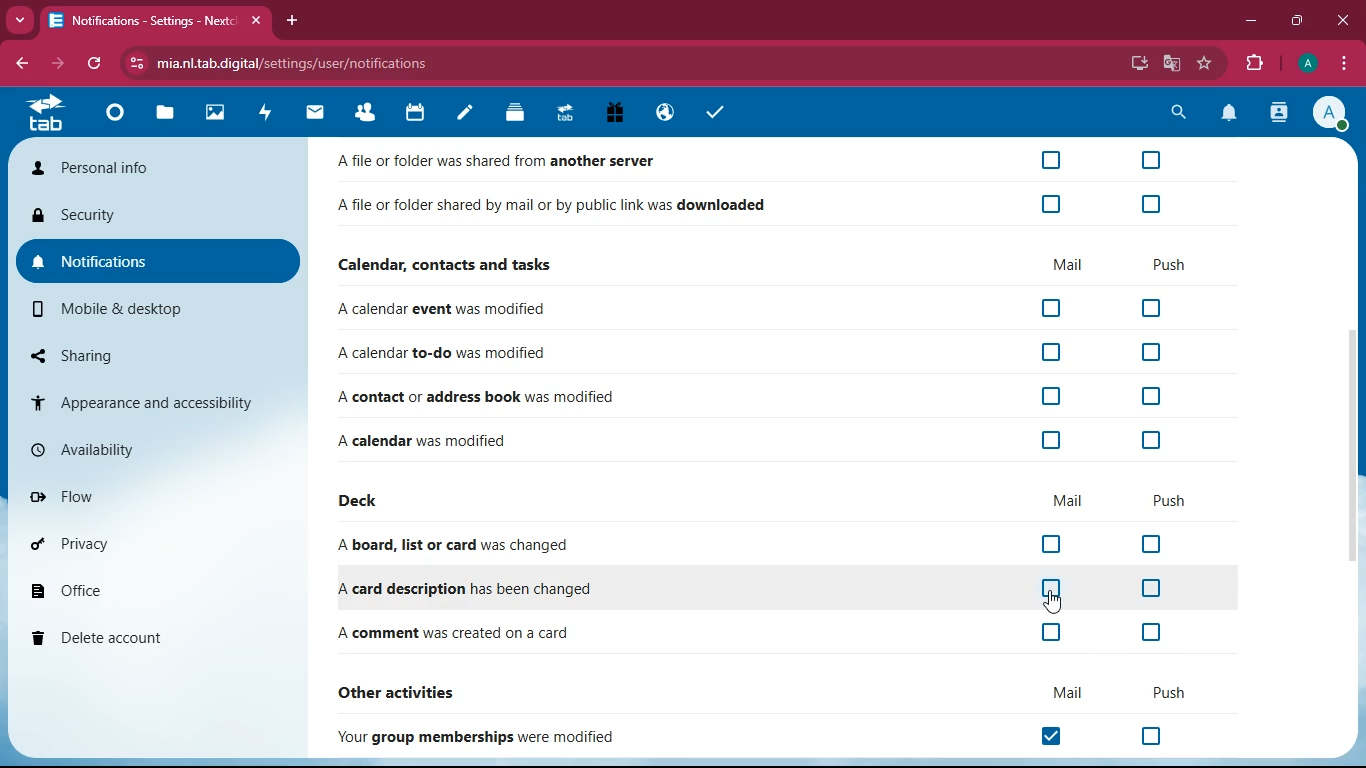 The image size is (1366, 768). What do you see at coordinates (464, 116) in the screenshot?
I see `notes` at bounding box center [464, 116].